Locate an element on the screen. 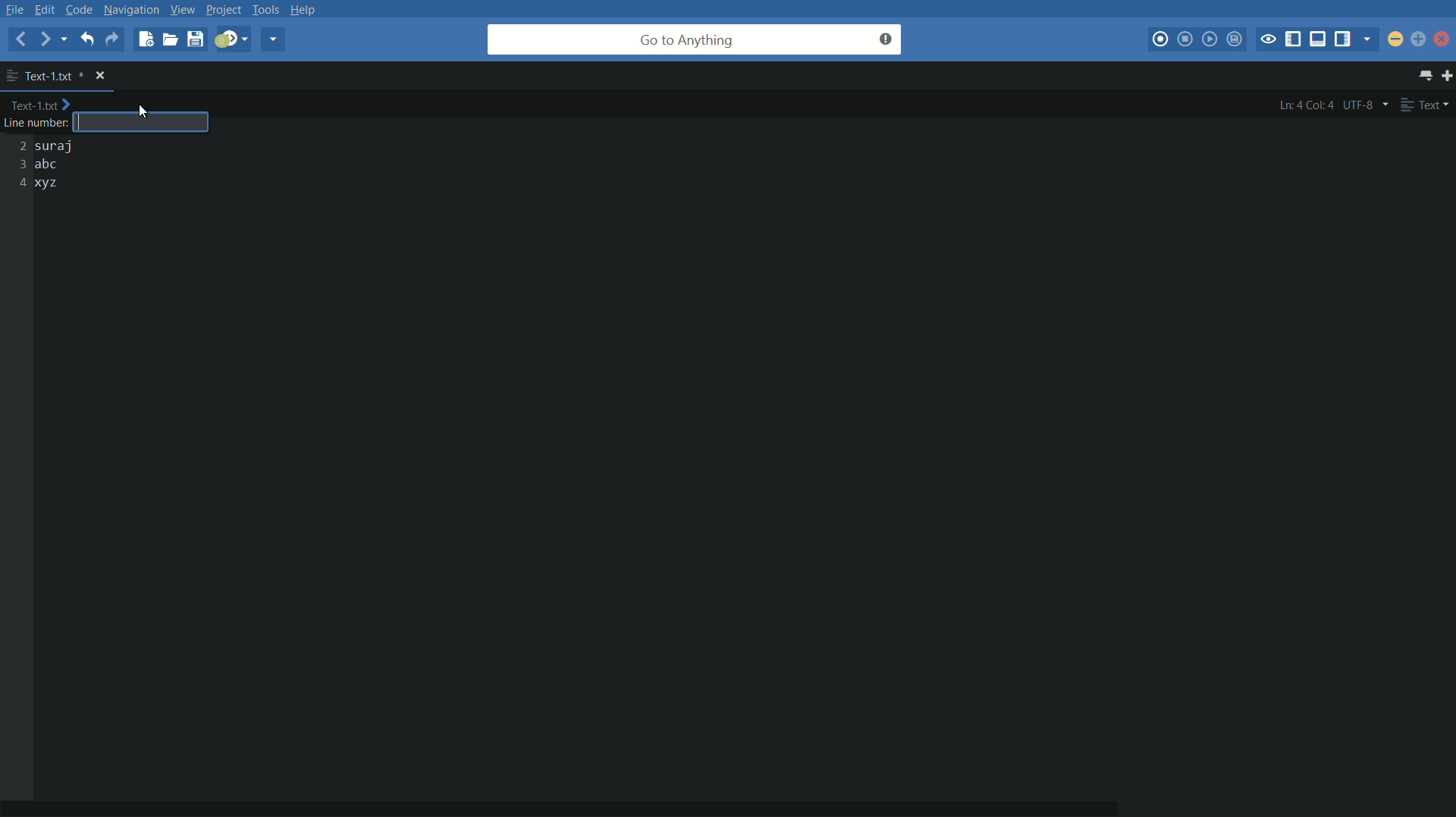  show/hide bottom panel is located at coordinates (1319, 39).